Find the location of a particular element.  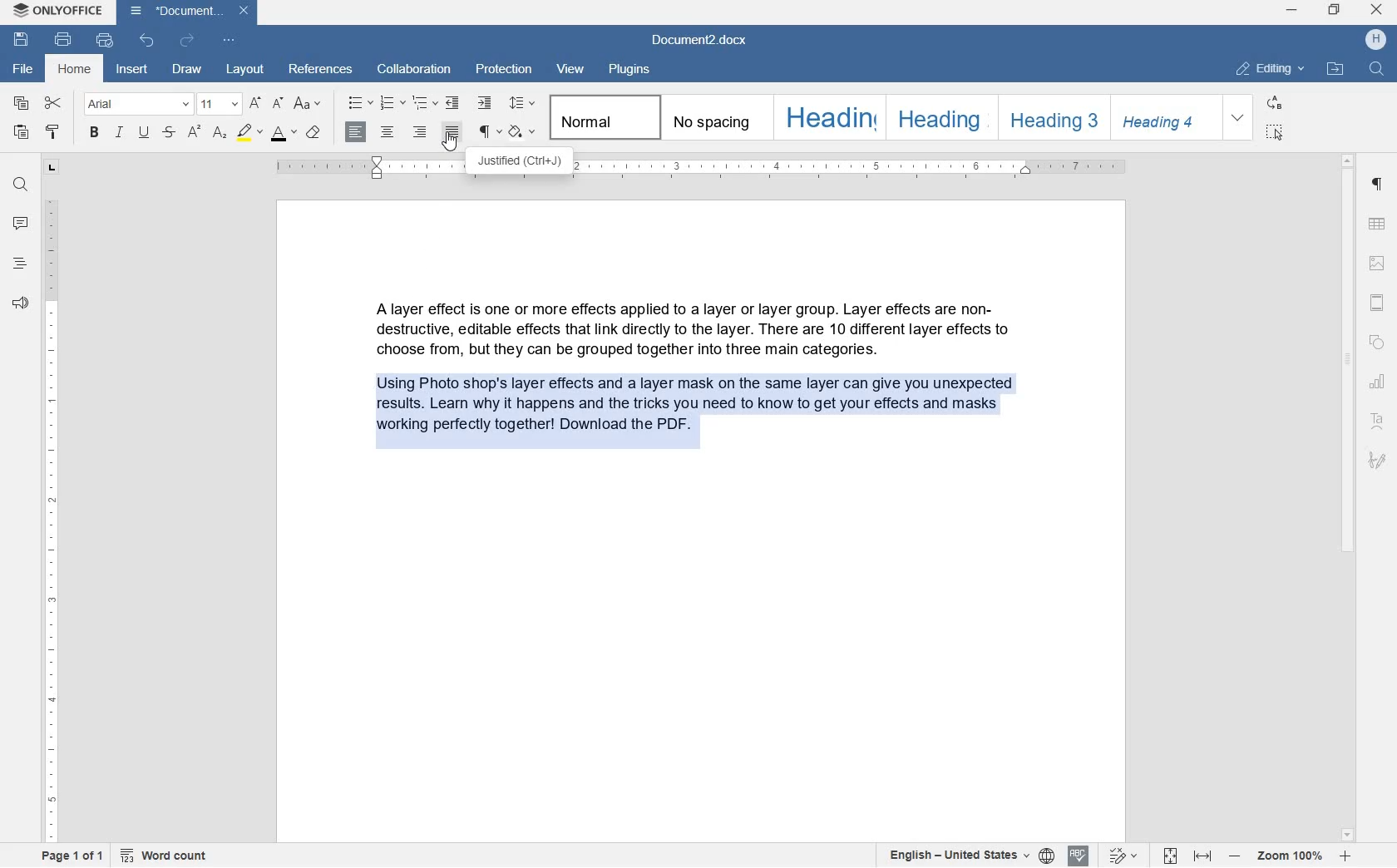

EXPAND FORMATTING STYLE is located at coordinates (1239, 118).